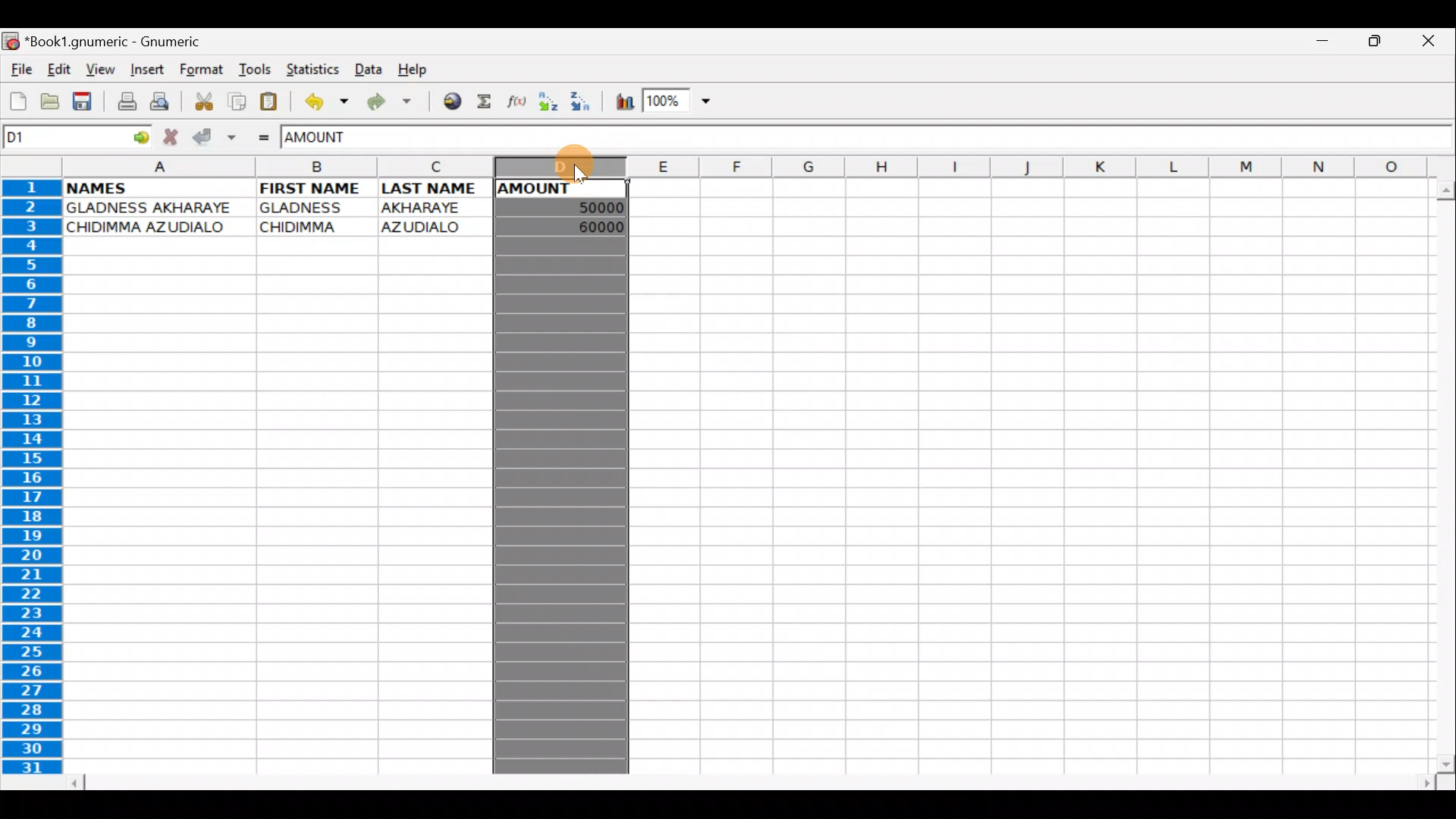 This screenshot has width=1456, height=819. Describe the element at coordinates (419, 71) in the screenshot. I see `Help` at that location.